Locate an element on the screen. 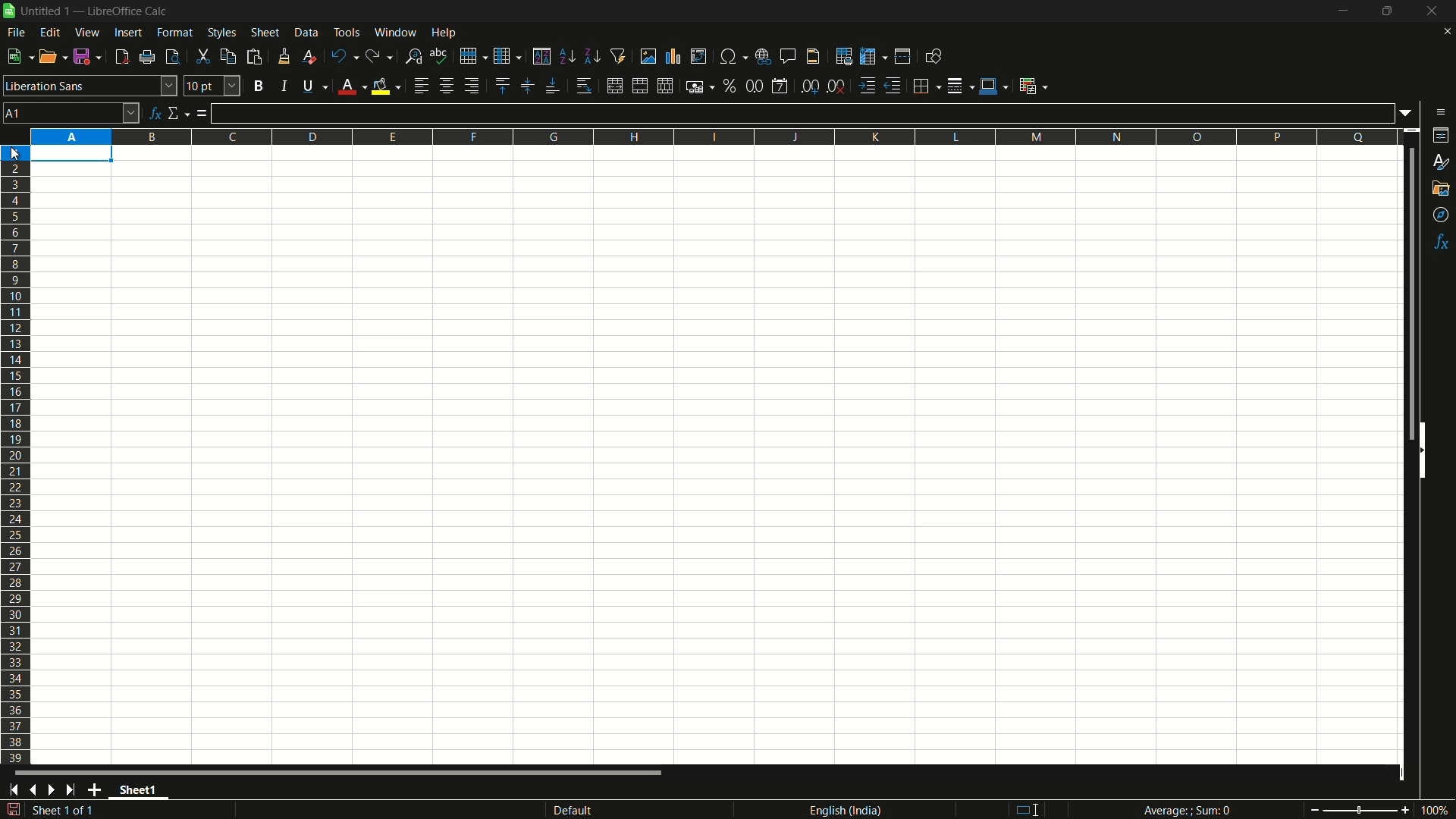  select function is located at coordinates (178, 114).